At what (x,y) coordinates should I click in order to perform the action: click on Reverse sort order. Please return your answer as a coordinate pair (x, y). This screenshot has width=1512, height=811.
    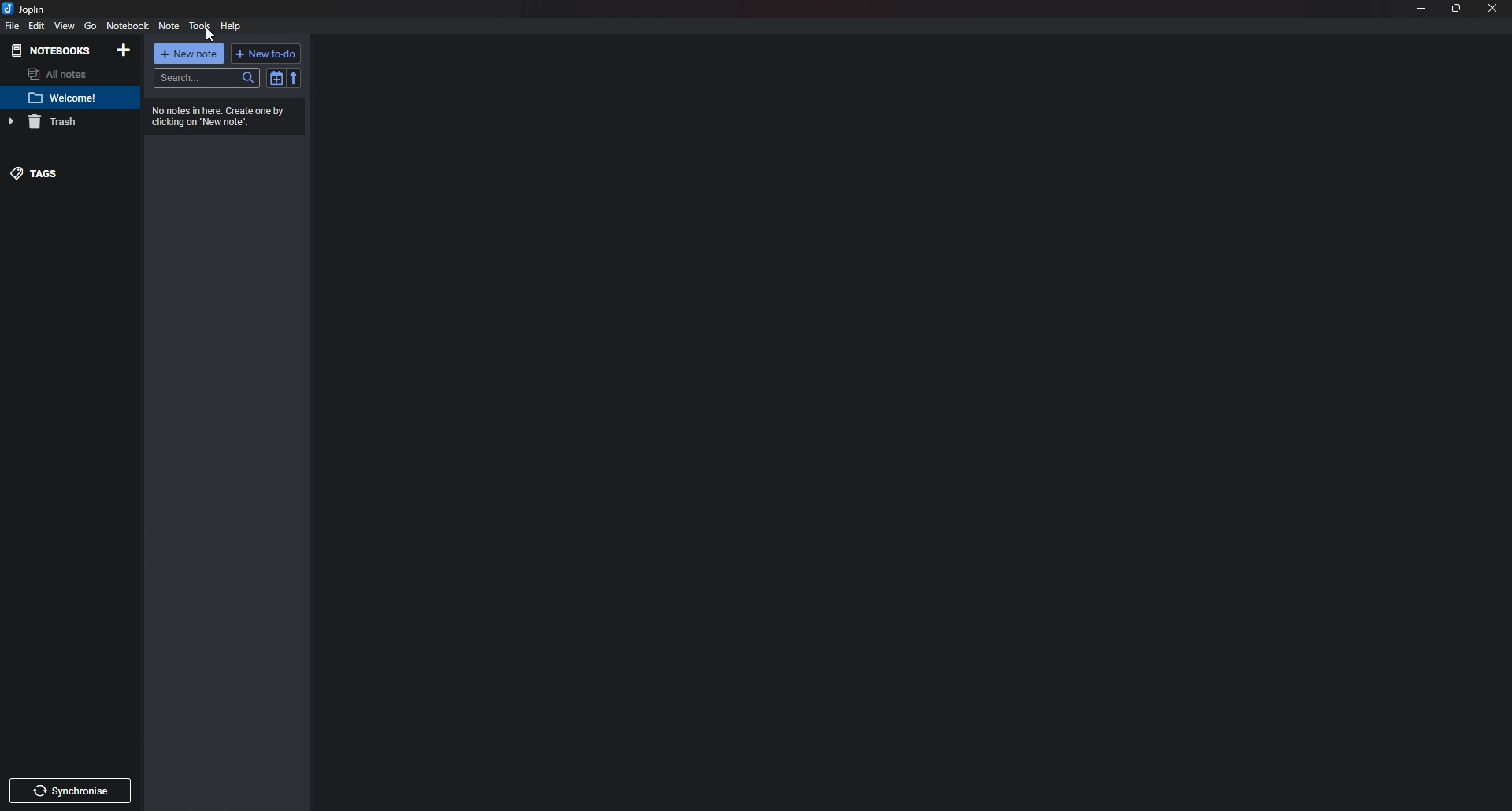
    Looking at the image, I should click on (293, 78).